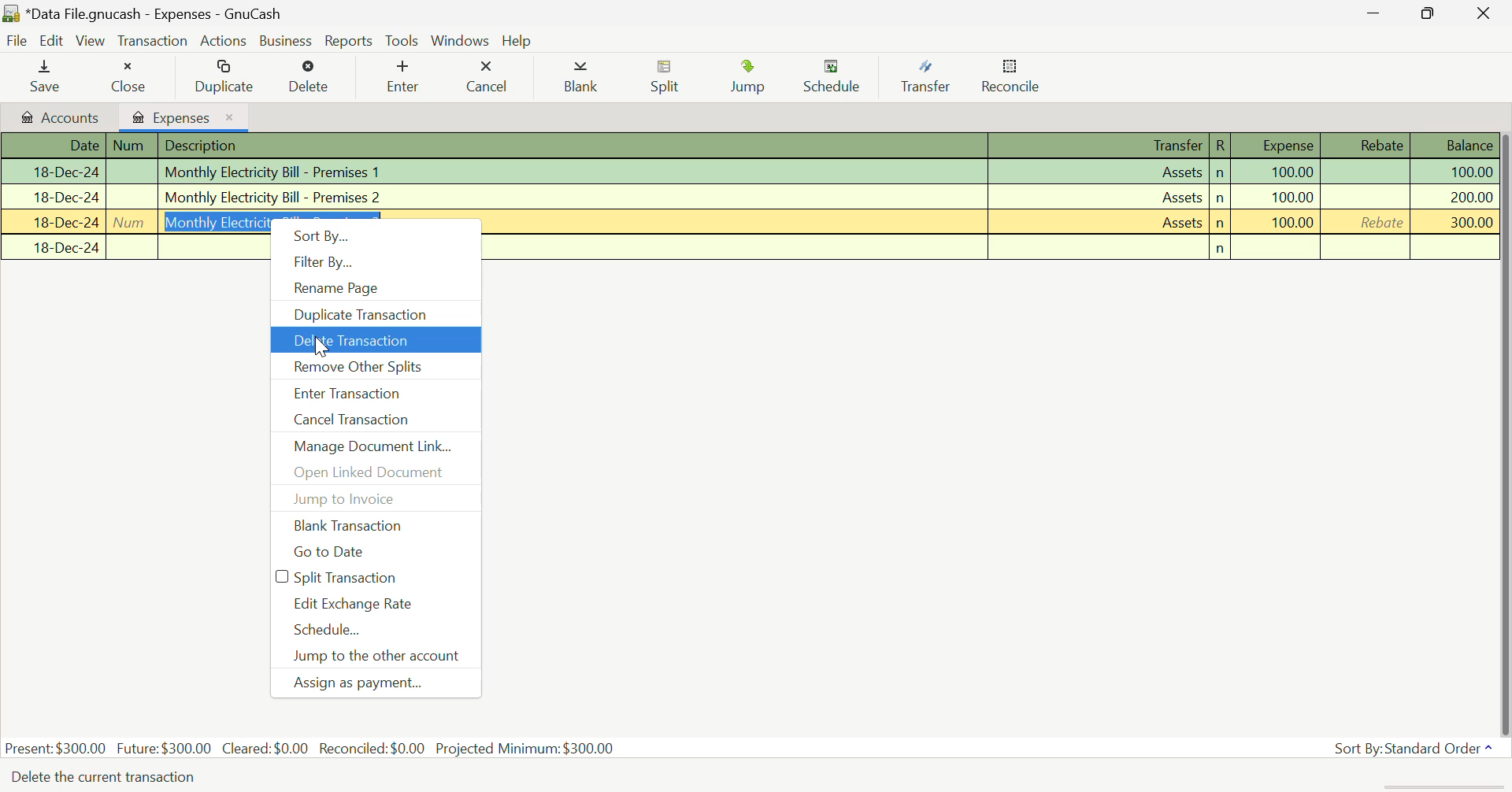 This screenshot has width=1512, height=792. What do you see at coordinates (153, 41) in the screenshot?
I see `Transaction` at bounding box center [153, 41].